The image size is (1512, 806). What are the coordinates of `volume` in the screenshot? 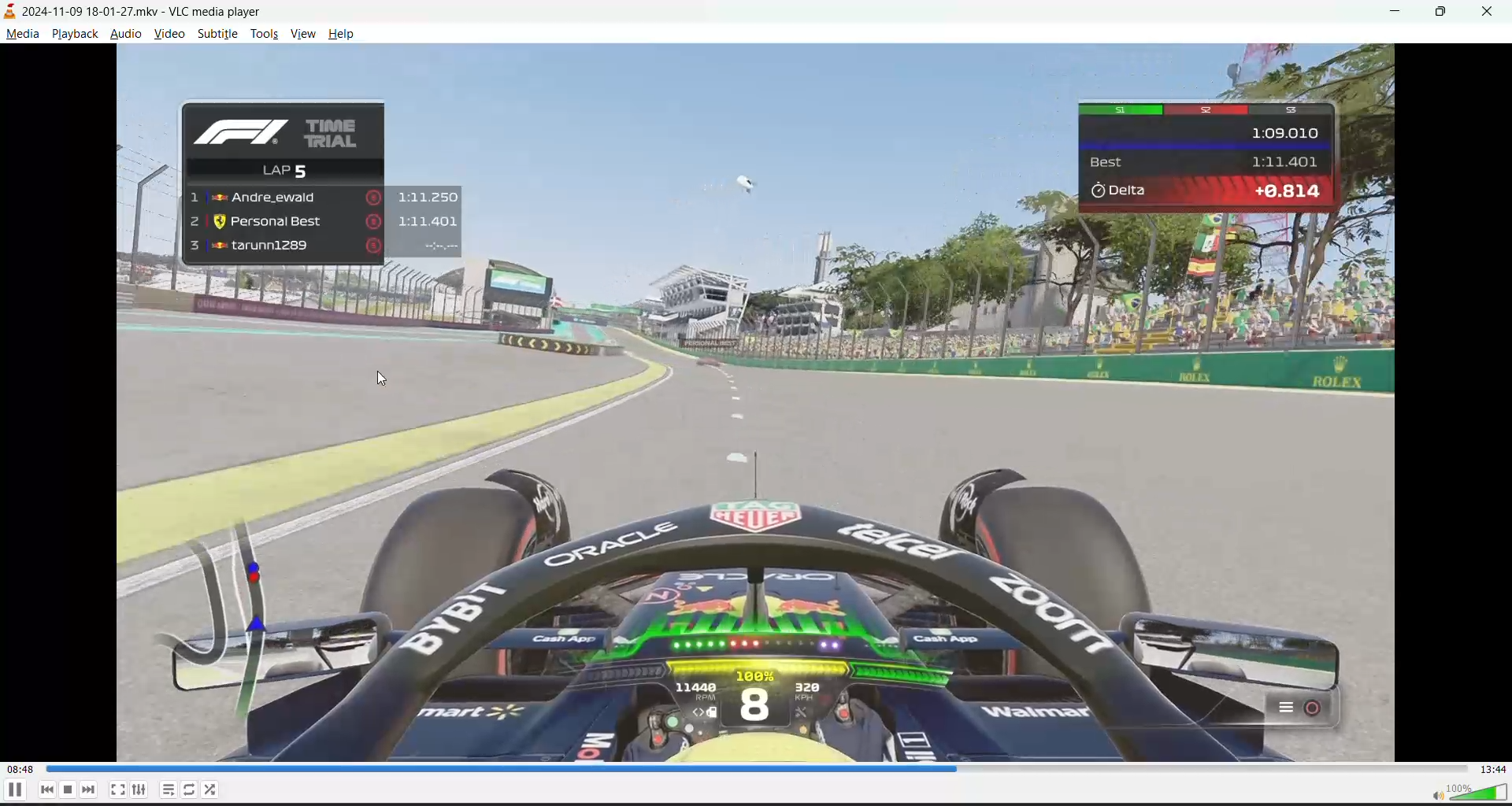 It's located at (1462, 790).